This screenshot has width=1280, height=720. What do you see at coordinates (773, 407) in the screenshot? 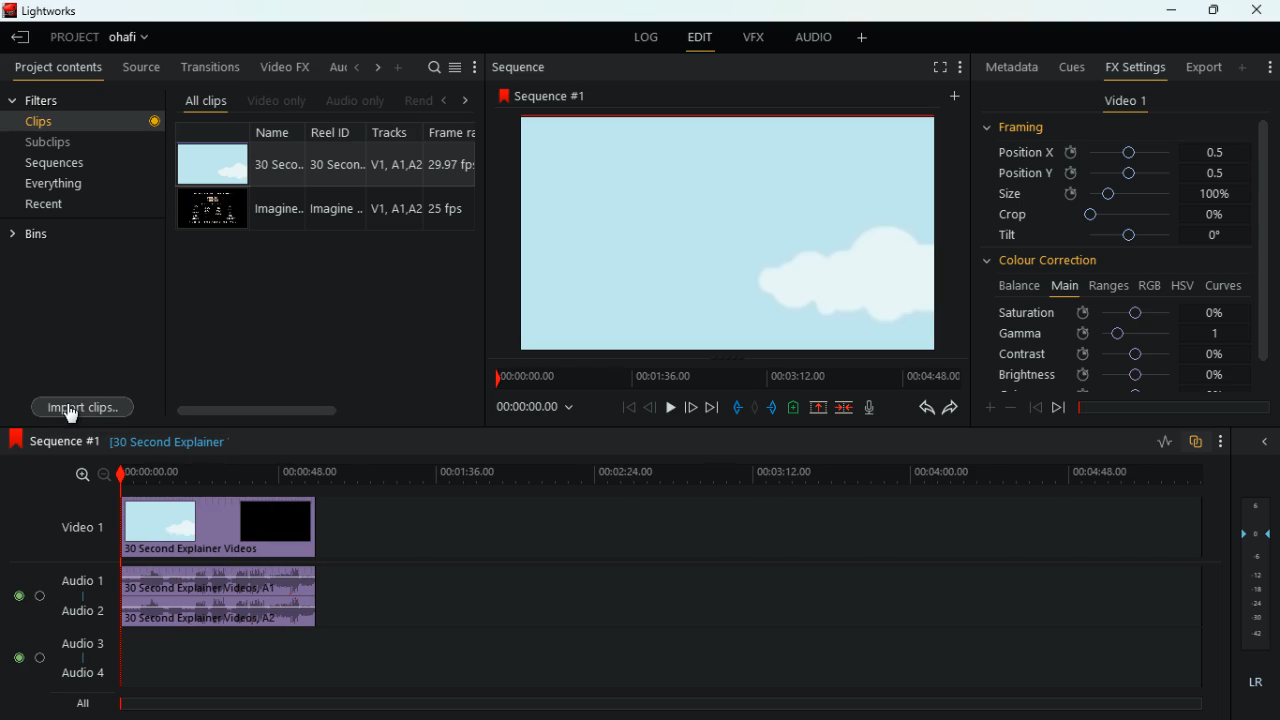
I see `push` at bounding box center [773, 407].